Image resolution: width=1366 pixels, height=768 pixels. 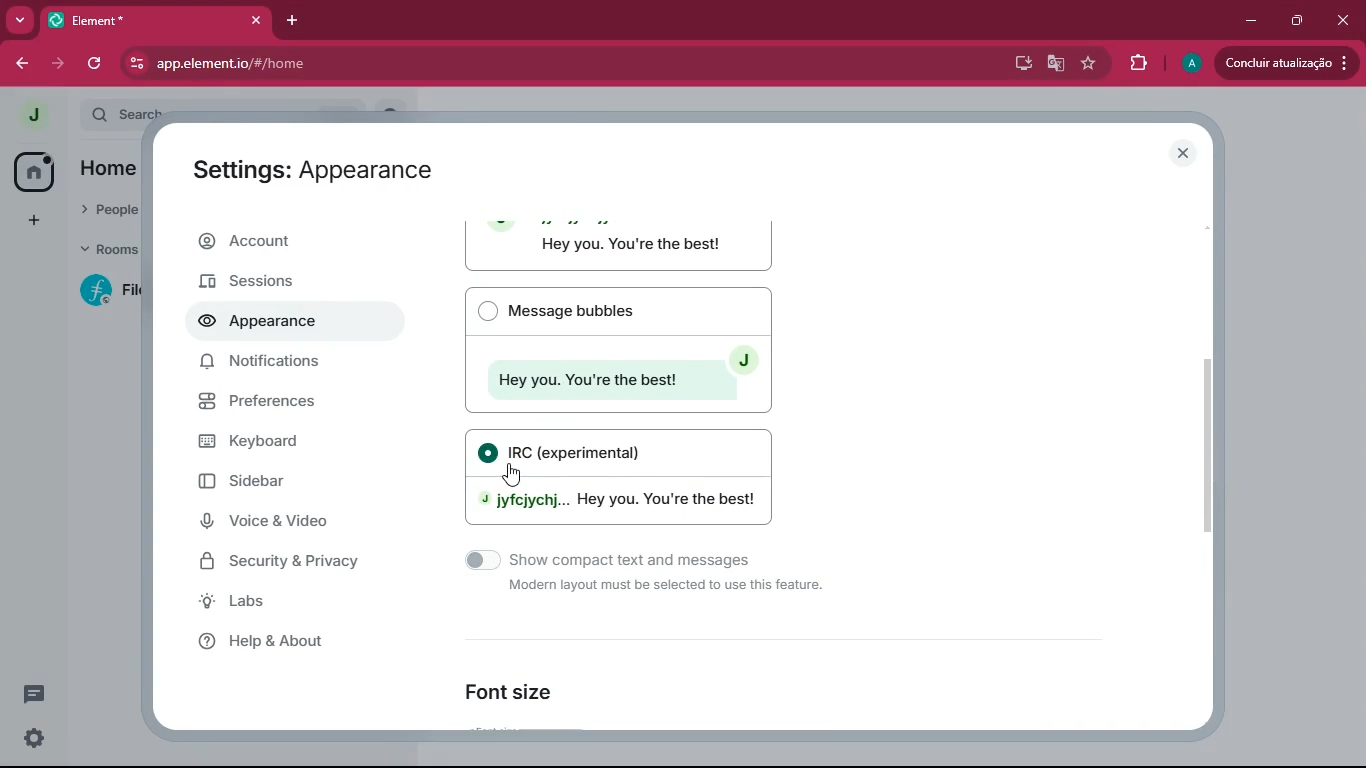 What do you see at coordinates (630, 577) in the screenshot?
I see `show compact` at bounding box center [630, 577].